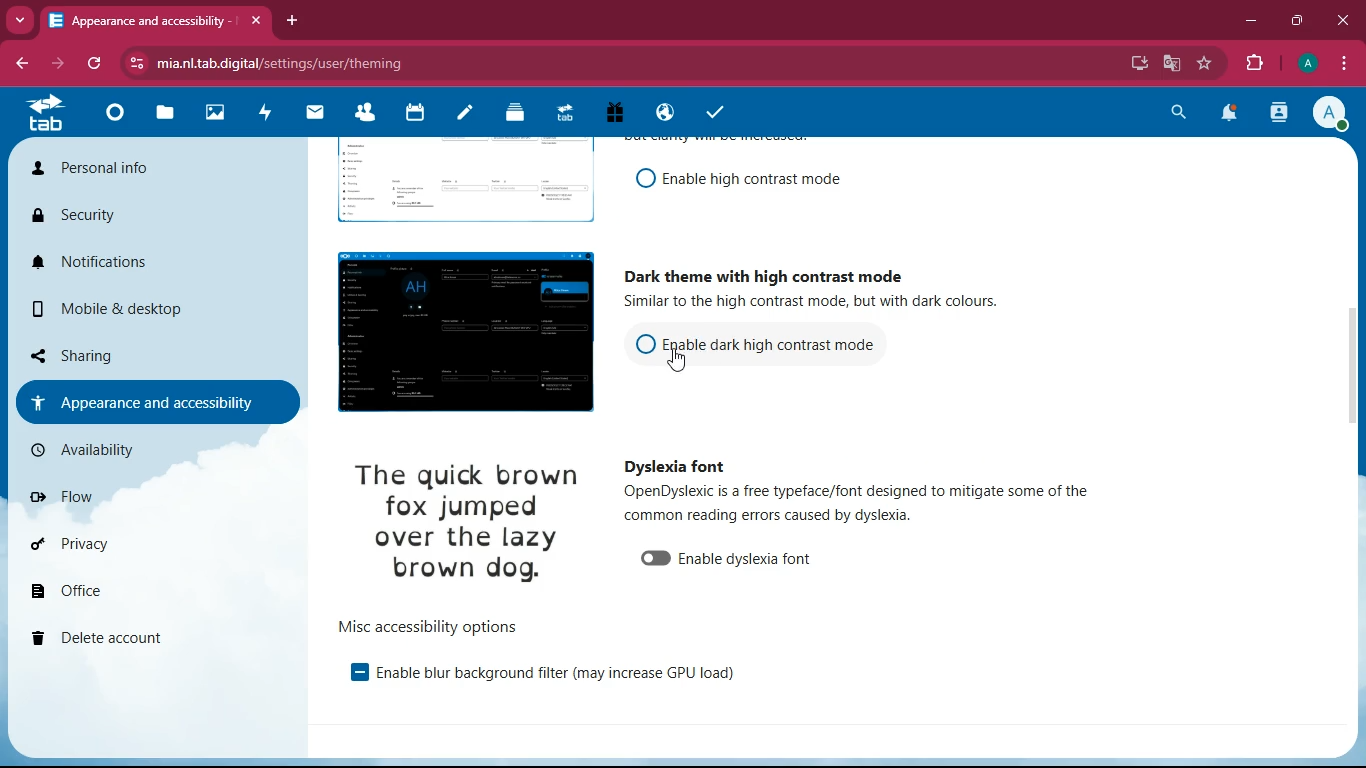 The height and width of the screenshot is (768, 1366). I want to click on personal info, so click(137, 170).